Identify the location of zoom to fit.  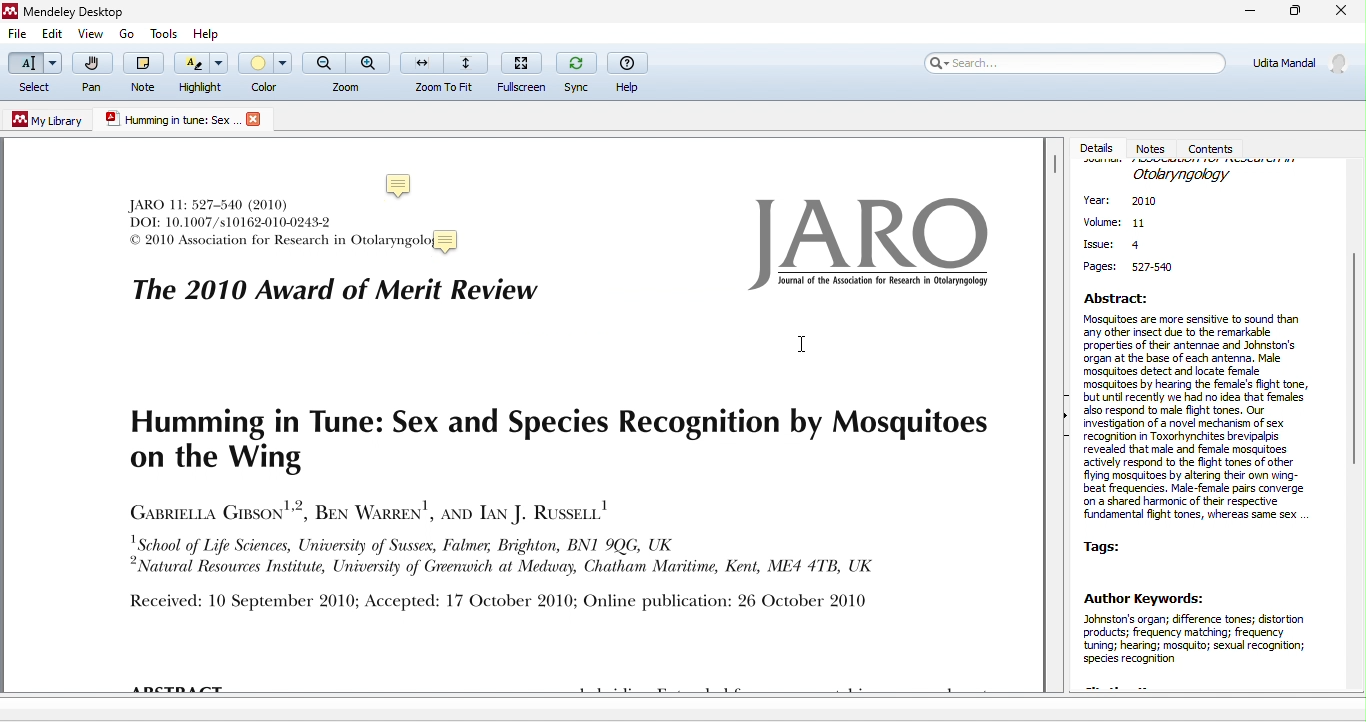
(445, 71).